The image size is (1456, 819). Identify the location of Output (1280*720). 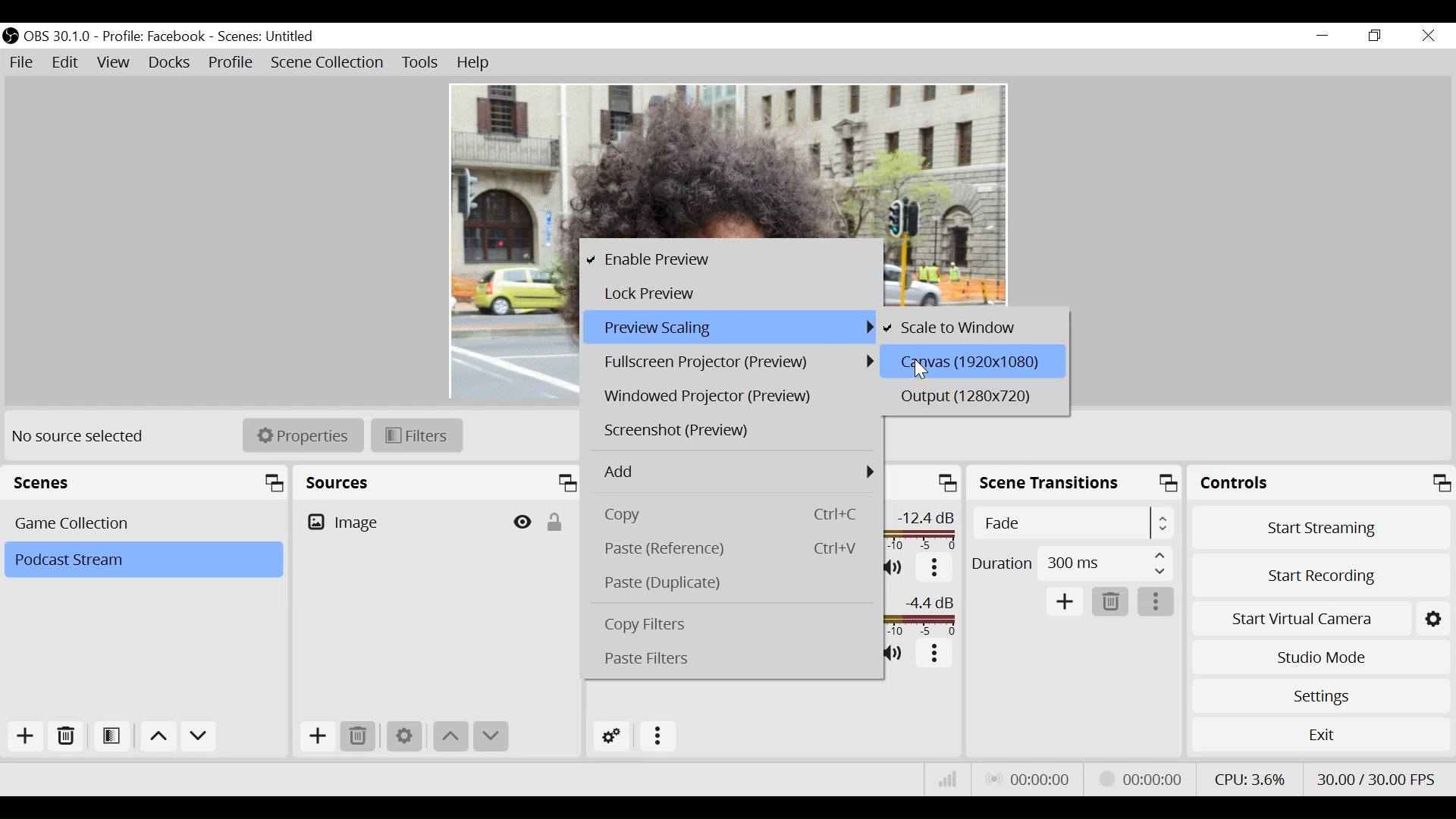
(971, 397).